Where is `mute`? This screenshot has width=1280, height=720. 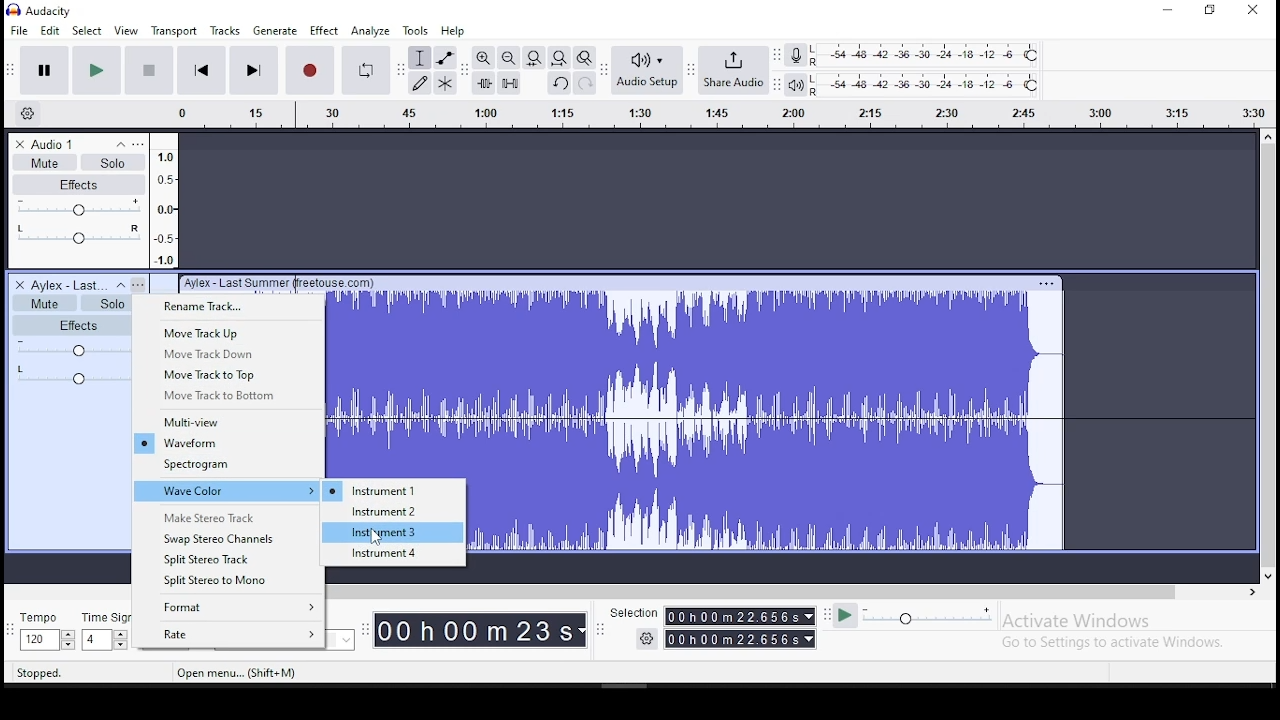
mute is located at coordinates (43, 302).